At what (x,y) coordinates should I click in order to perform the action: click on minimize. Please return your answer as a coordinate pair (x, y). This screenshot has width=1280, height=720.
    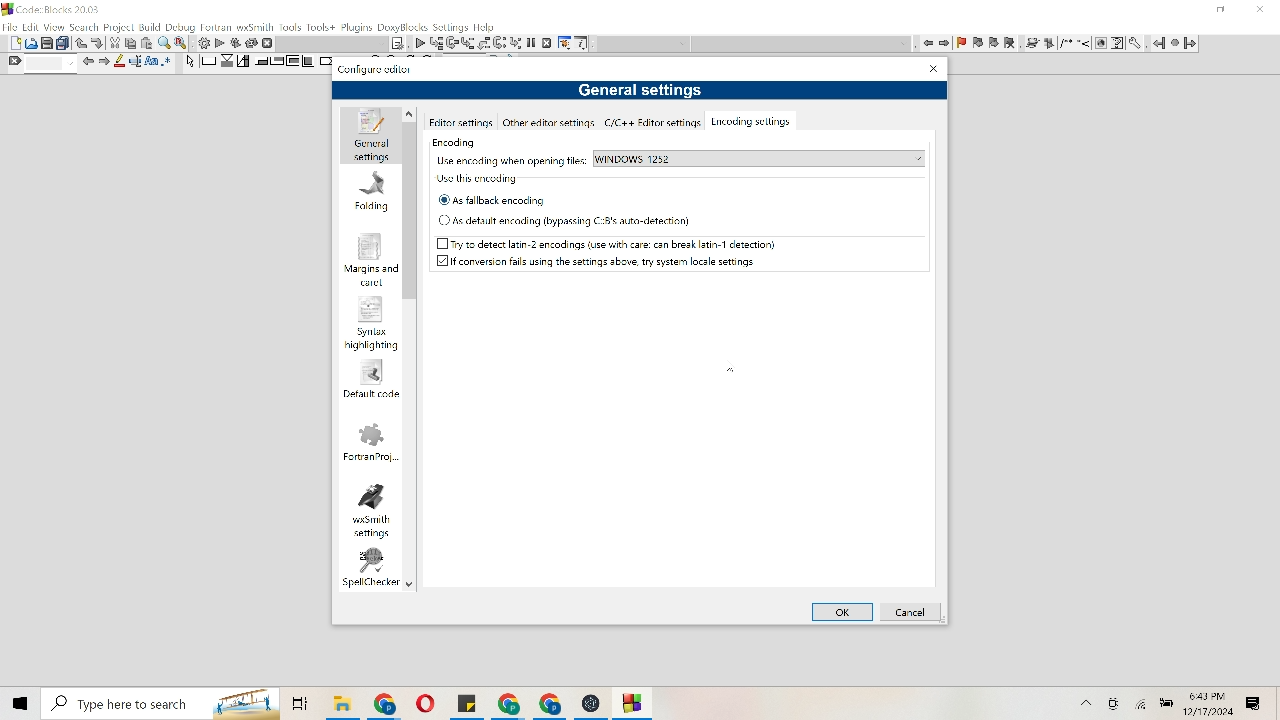
    Looking at the image, I should click on (1222, 10).